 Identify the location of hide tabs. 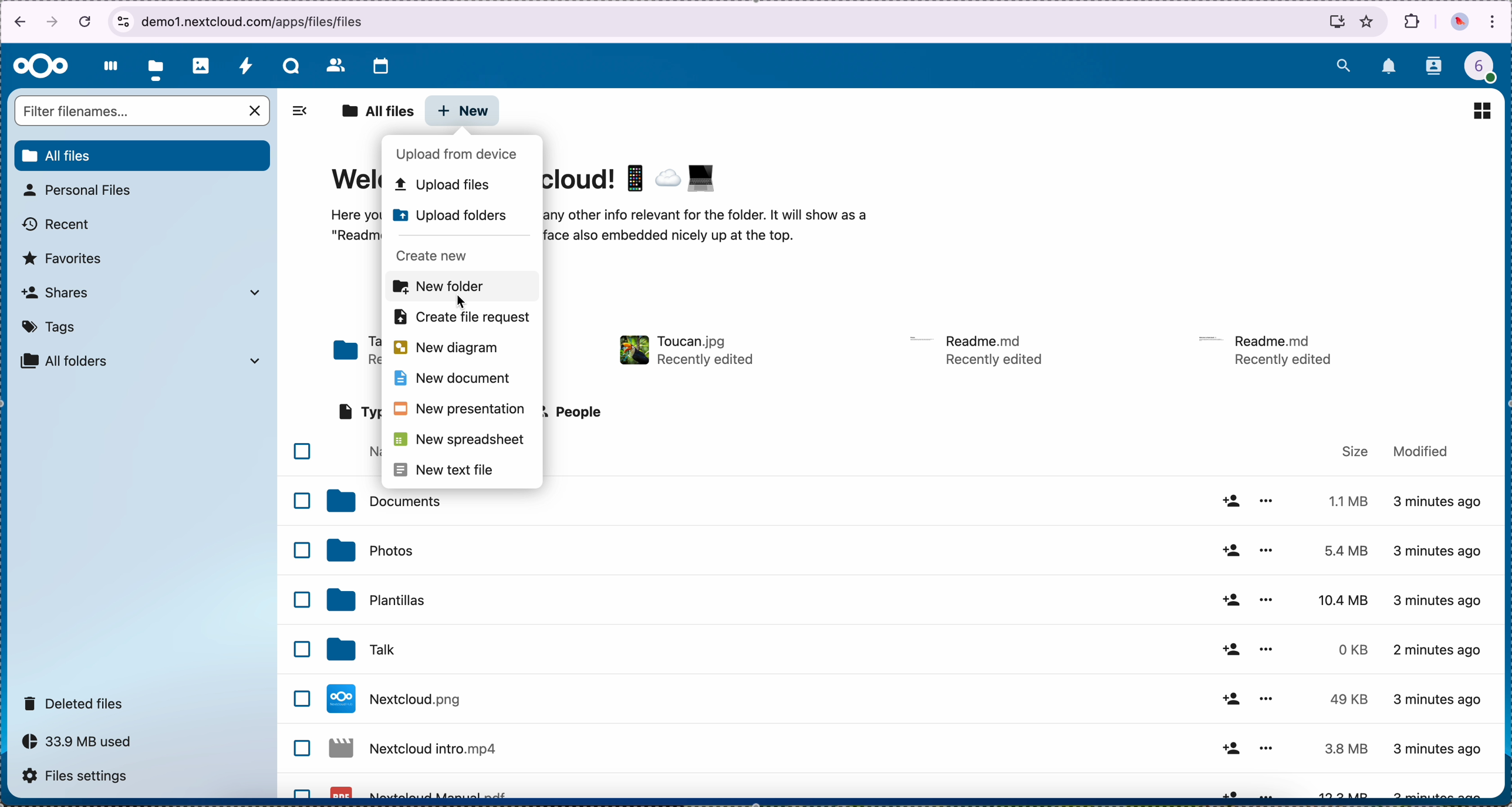
(299, 114).